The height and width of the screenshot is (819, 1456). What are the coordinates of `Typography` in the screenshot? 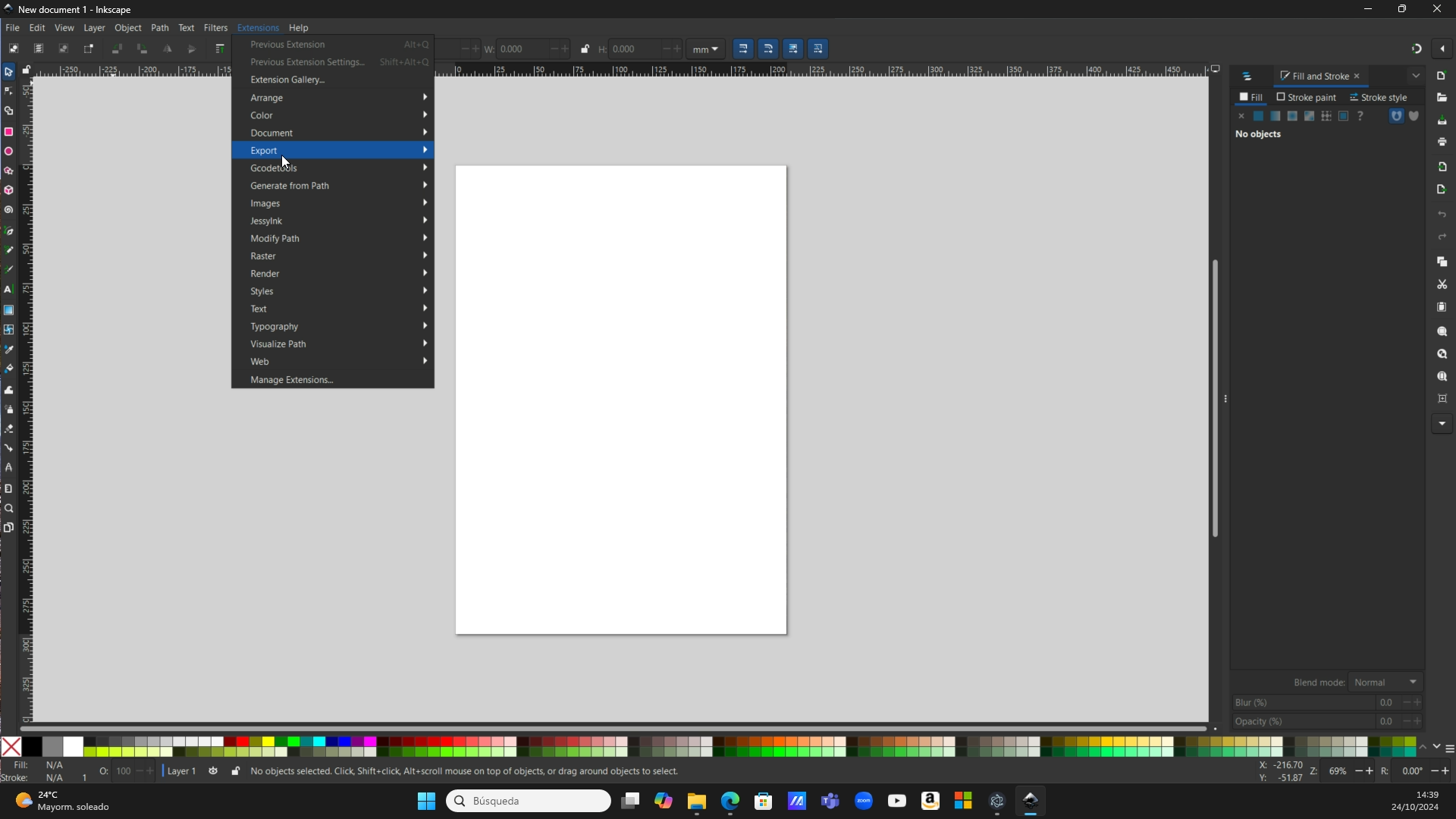 It's located at (337, 327).